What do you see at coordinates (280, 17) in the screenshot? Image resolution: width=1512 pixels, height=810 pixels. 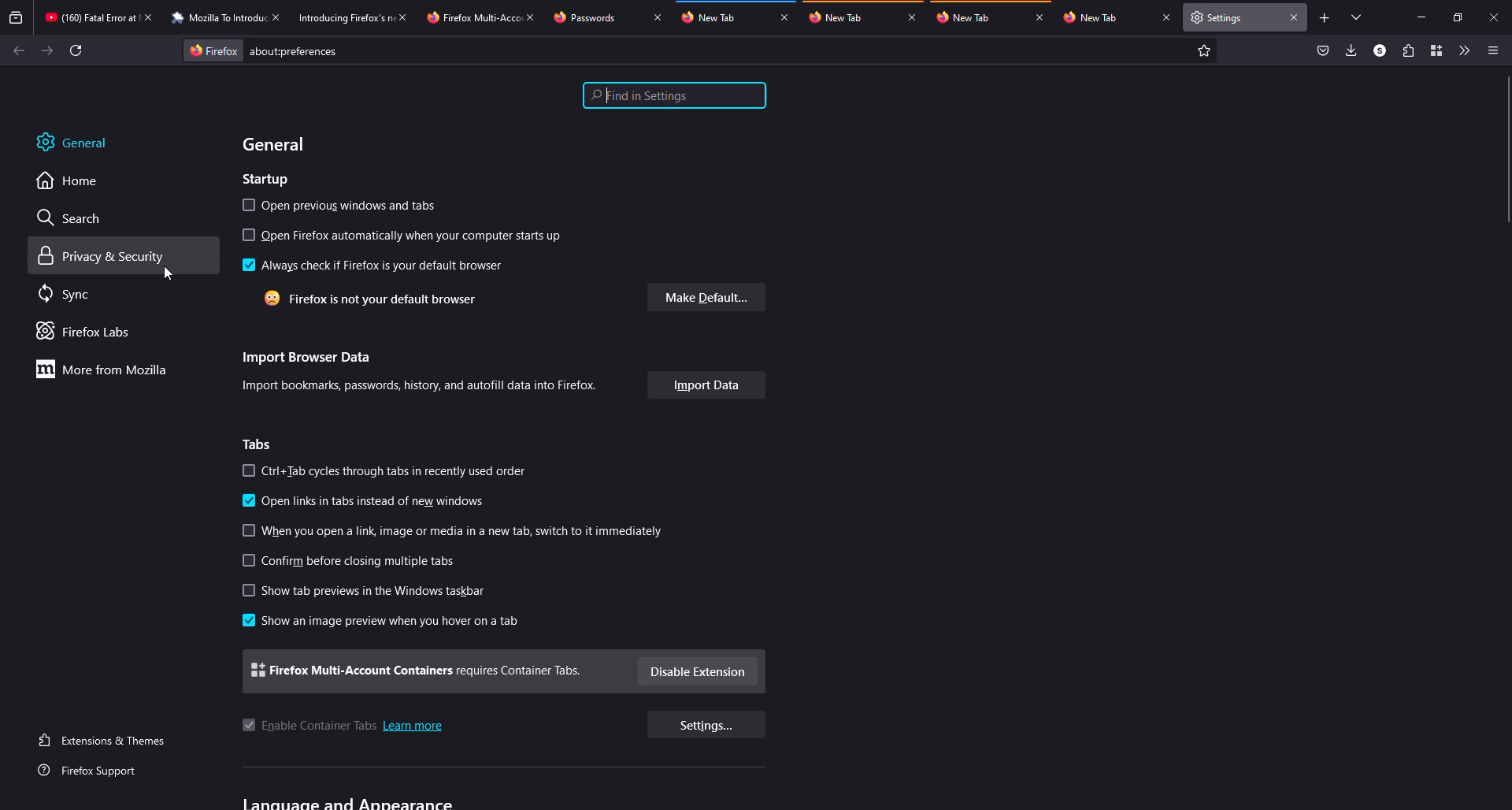 I see `close` at bounding box center [280, 17].